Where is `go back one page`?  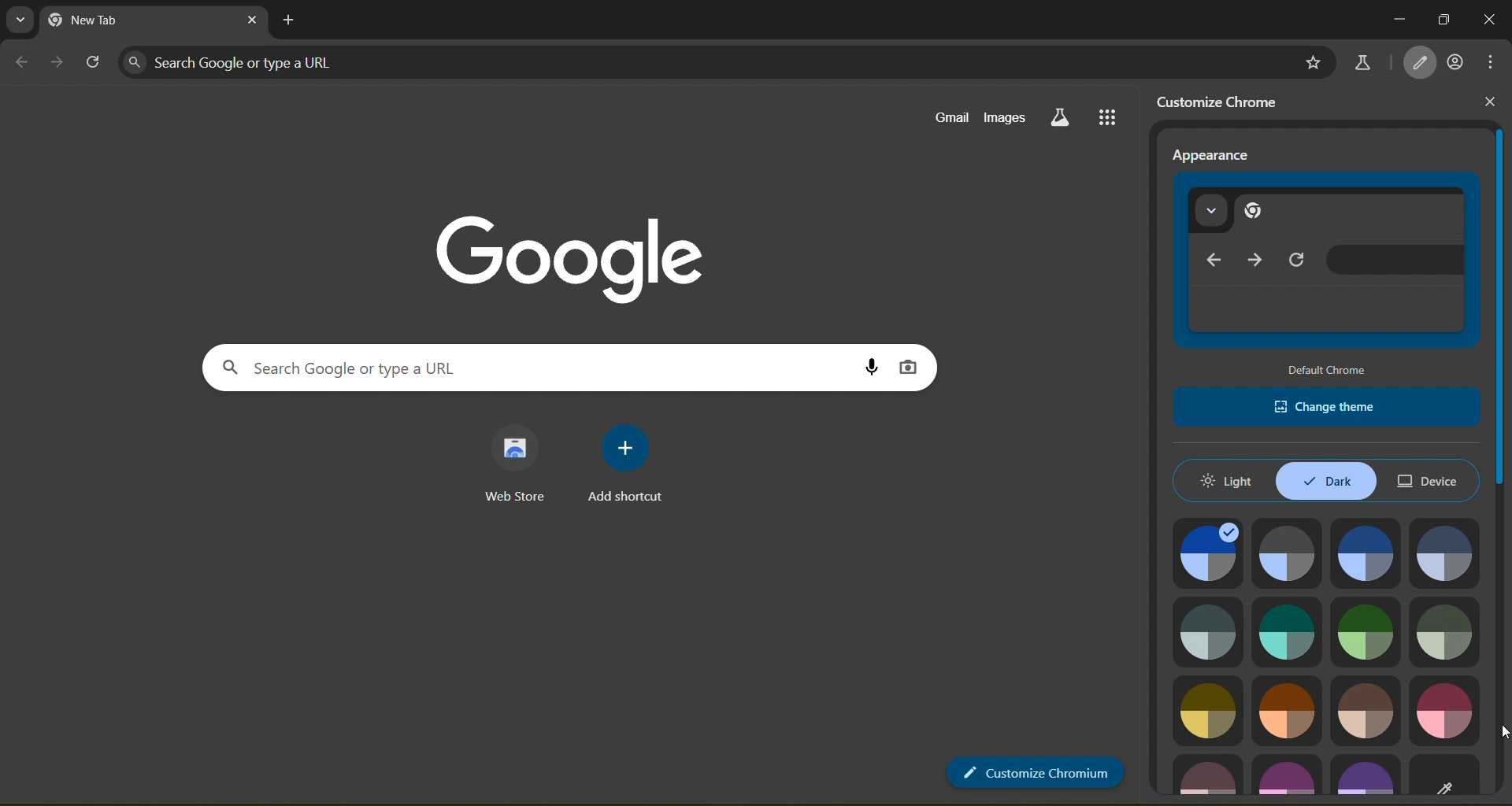
go back one page is located at coordinates (20, 61).